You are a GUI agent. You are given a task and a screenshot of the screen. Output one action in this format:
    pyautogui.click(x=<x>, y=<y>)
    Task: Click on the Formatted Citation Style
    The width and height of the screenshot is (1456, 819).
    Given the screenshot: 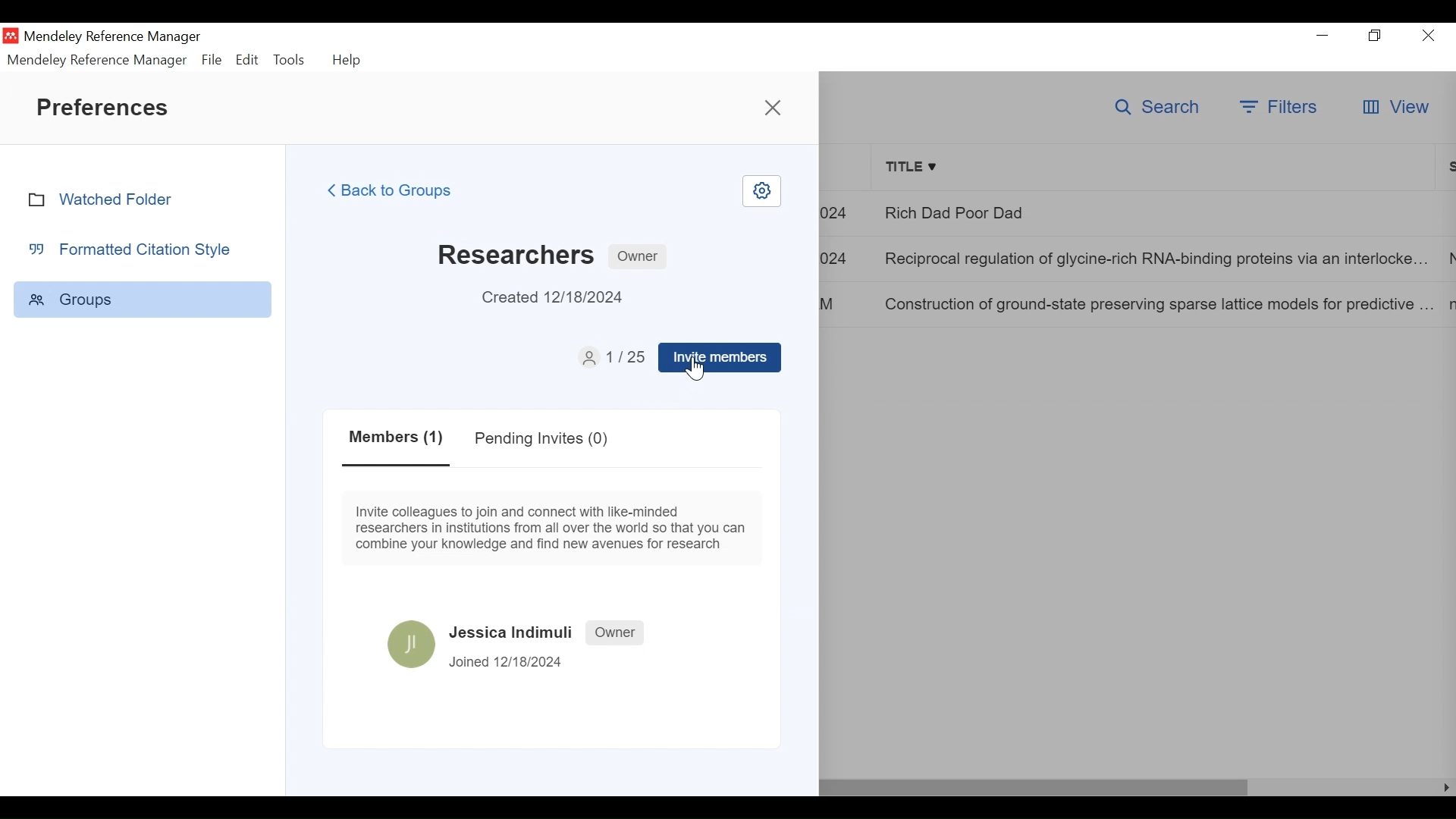 What is the action you would take?
    pyautogui.click(x=136, y=249)
    